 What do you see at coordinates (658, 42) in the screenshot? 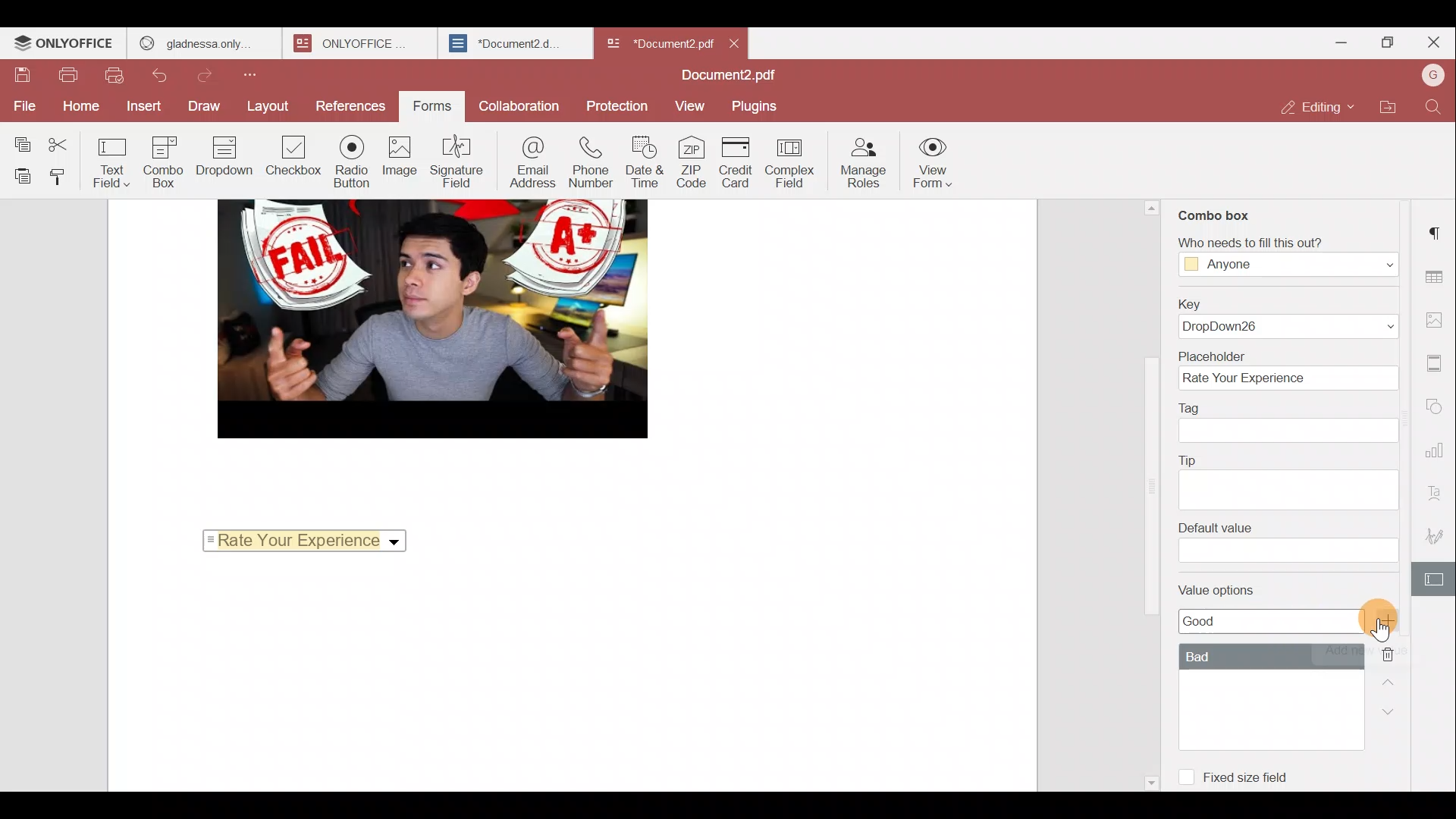
I see `*Document2 pdf` at bounding box center [658, 42].